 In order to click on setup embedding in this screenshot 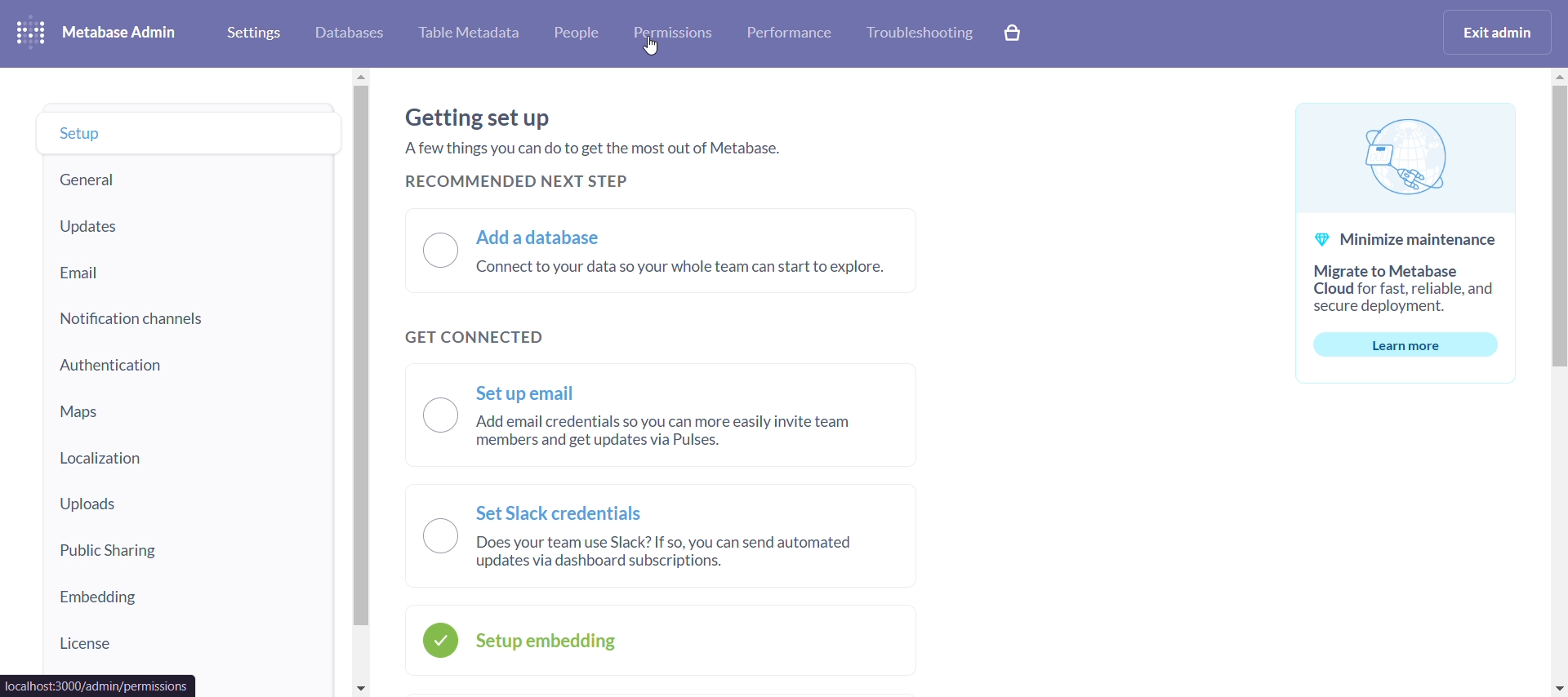, I will do `click(662, 640)`.